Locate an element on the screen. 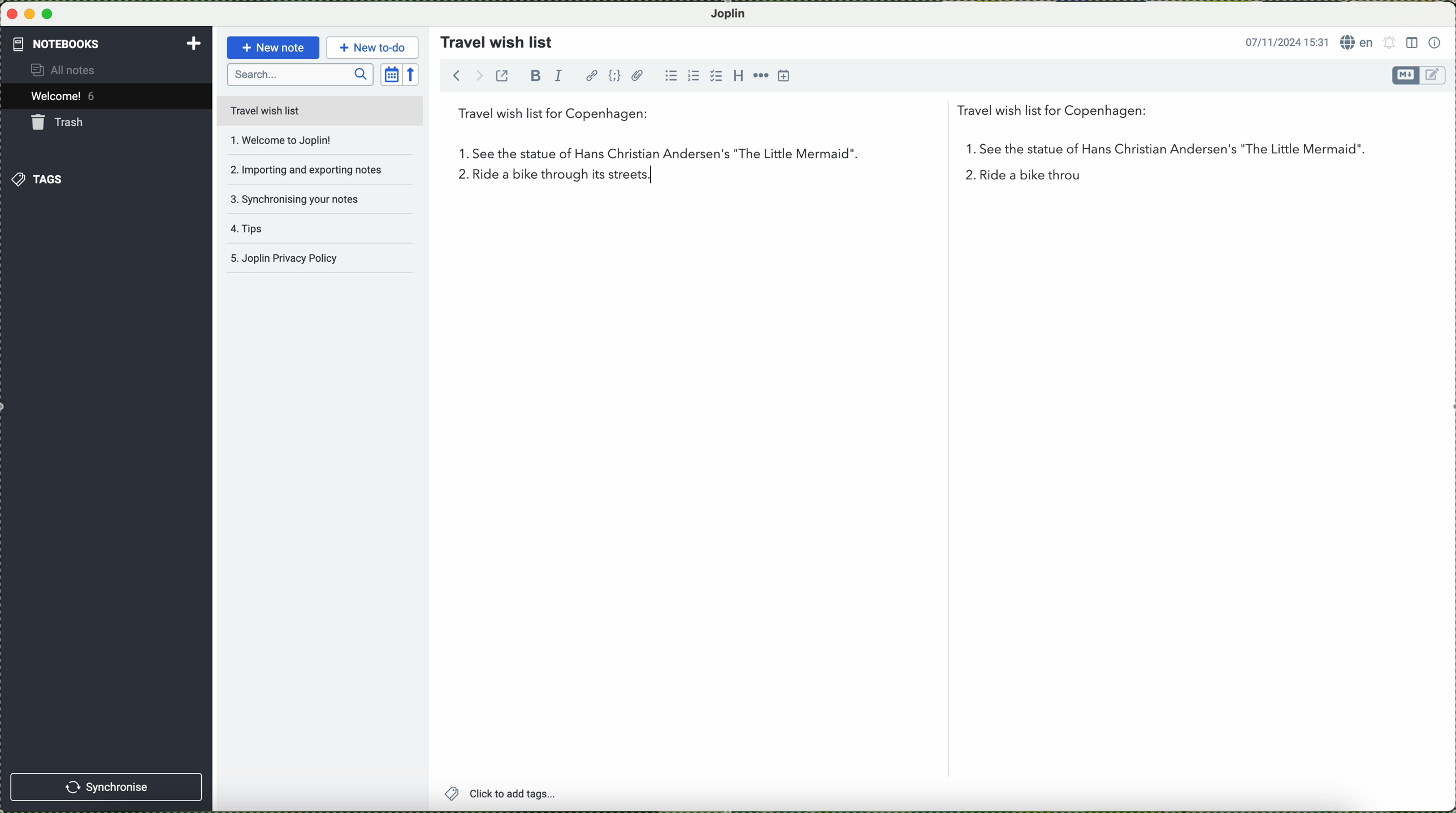 The width and height of the screenshot is (1456, 813). tags is located at coordinates (39, 179).